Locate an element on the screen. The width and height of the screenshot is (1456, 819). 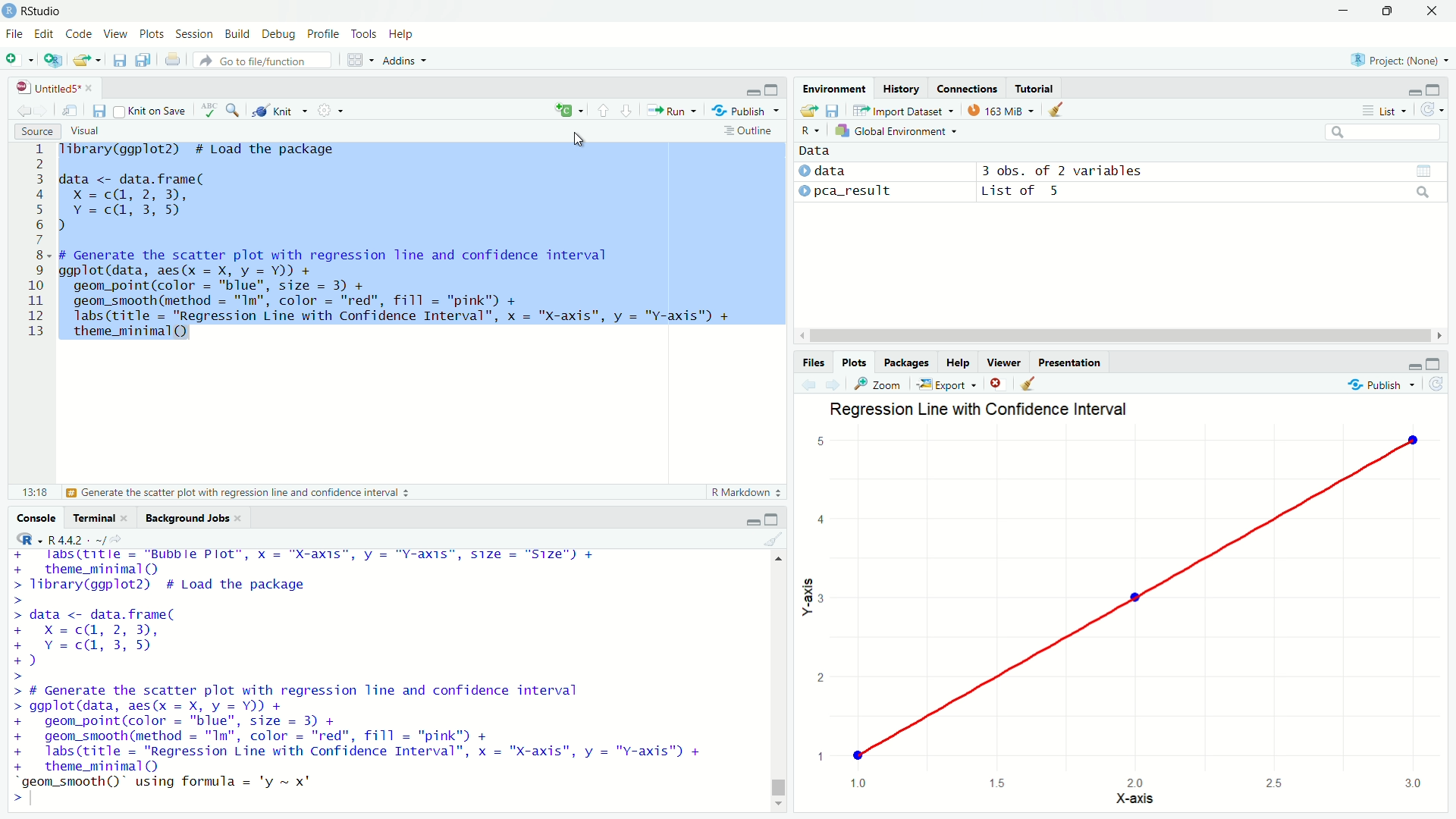
Background Jobs is located at coordinates (185, 519).